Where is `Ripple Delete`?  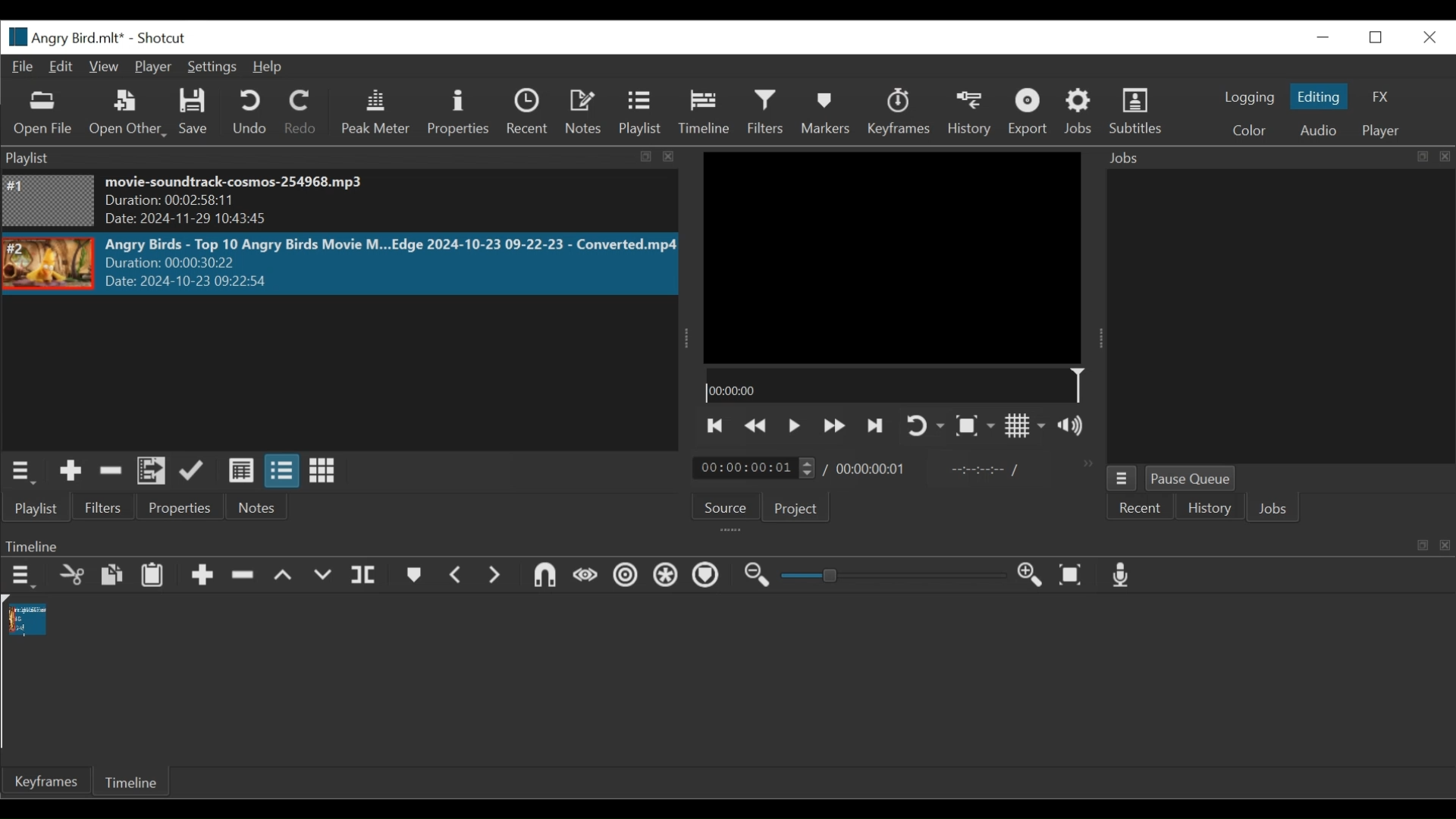 Ripple Delete is located at coordinates (243, 576).